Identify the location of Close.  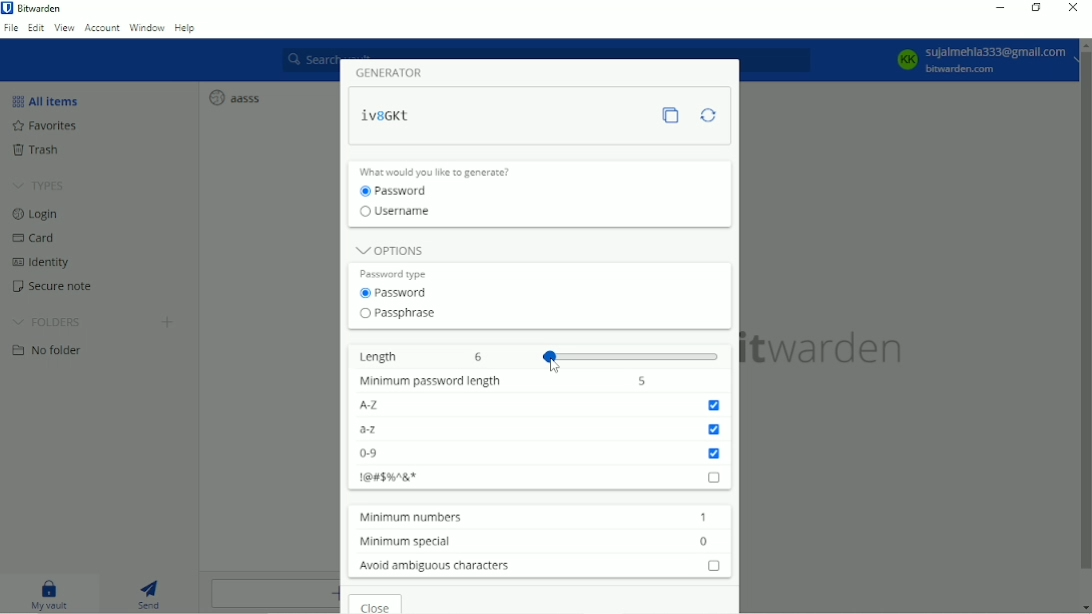
(378, 604).